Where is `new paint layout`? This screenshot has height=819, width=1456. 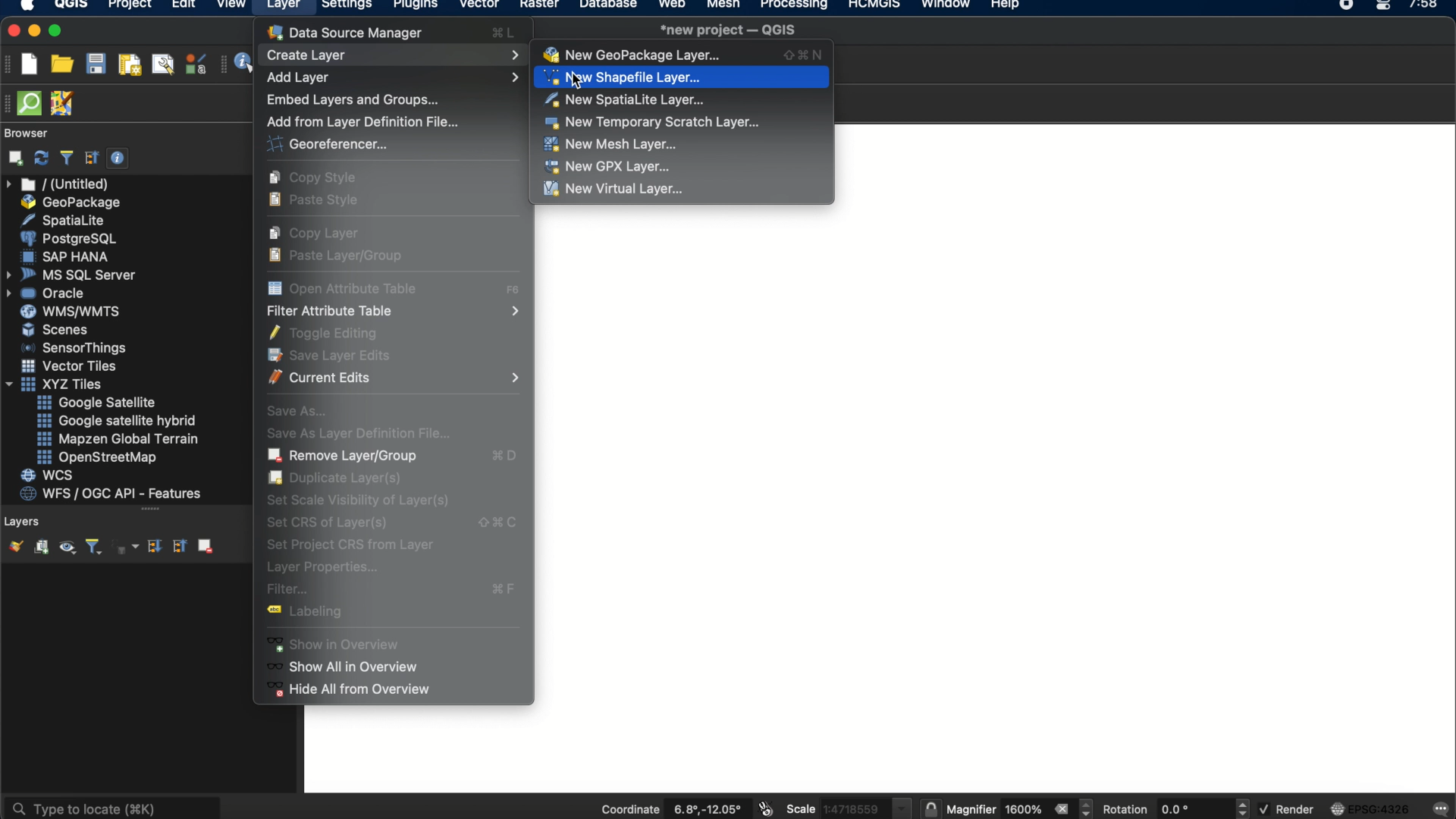 new paint layout is located at coordinates (128, 66).